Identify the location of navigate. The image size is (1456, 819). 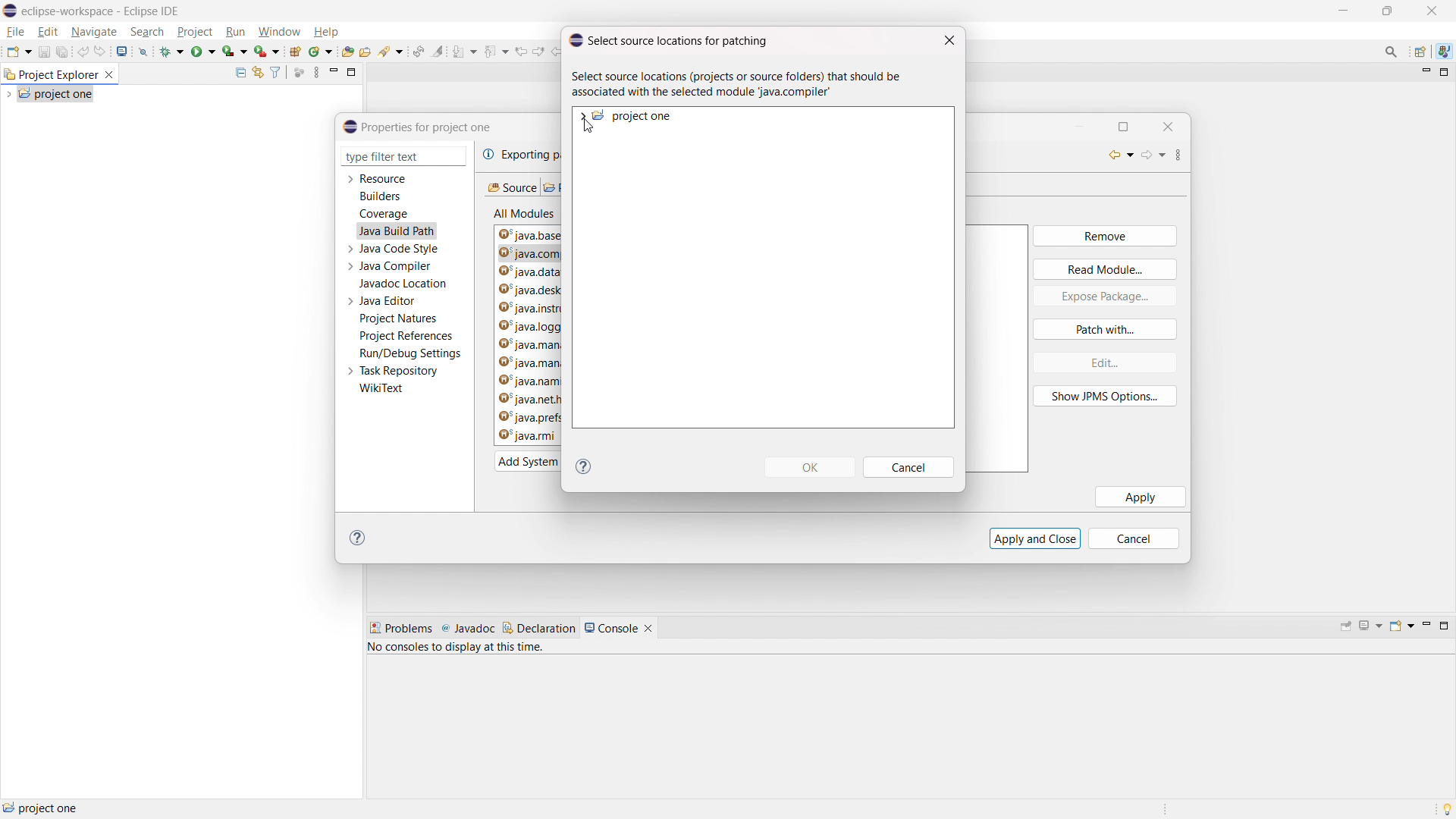
(93, 31).